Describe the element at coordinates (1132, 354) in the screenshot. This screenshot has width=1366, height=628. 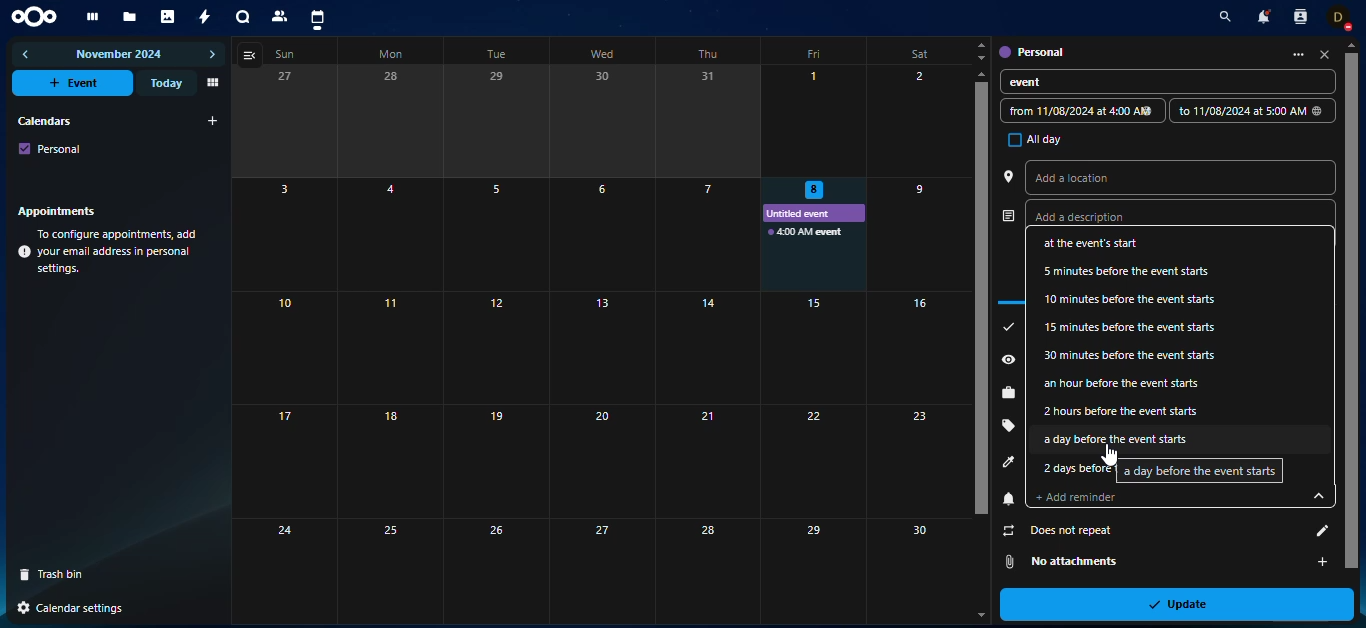
I see `30 min` at that location.